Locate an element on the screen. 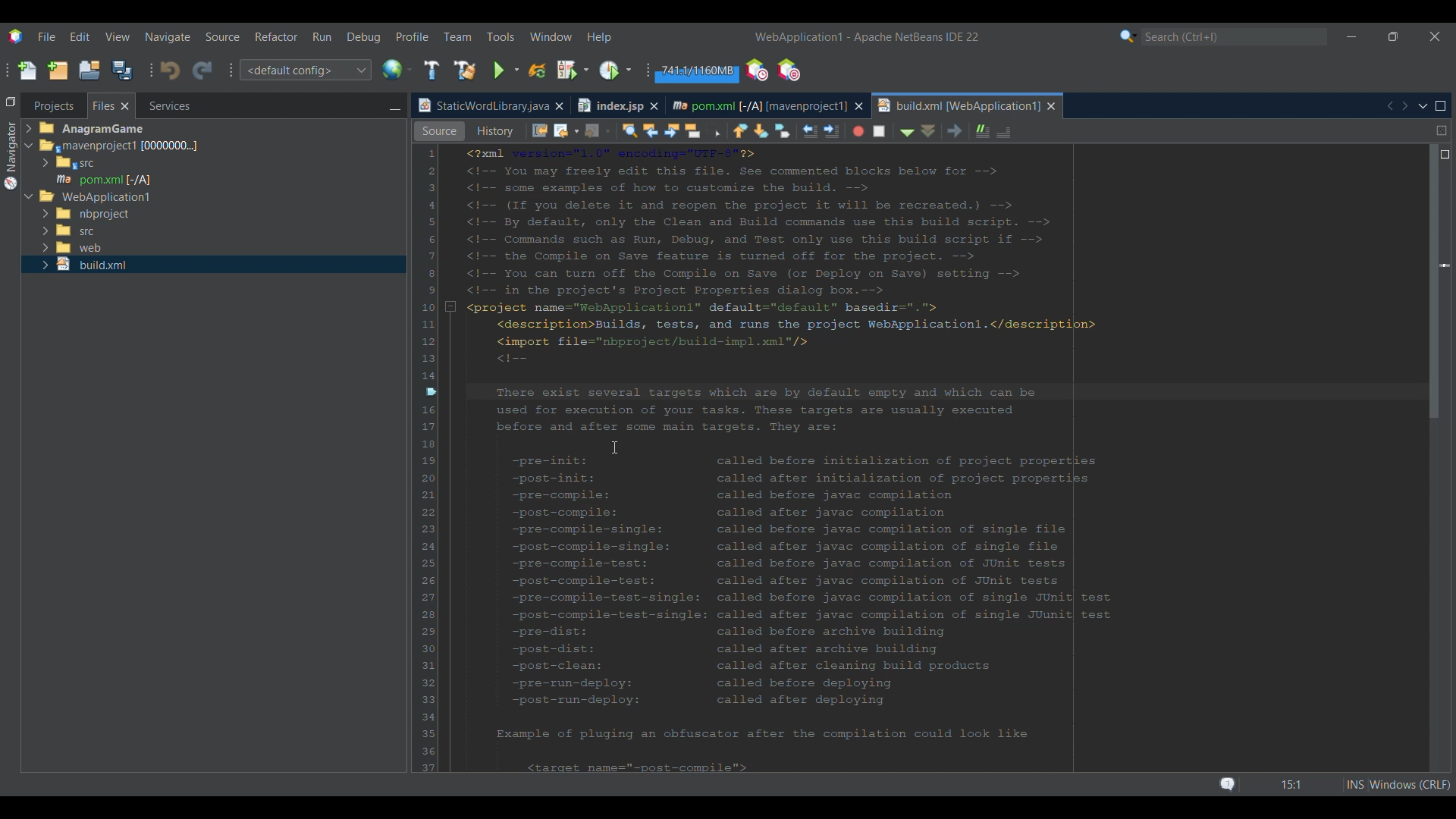 This screenshot has width=1456, height=819. Navigate menu is located at coordinates (168, 37).